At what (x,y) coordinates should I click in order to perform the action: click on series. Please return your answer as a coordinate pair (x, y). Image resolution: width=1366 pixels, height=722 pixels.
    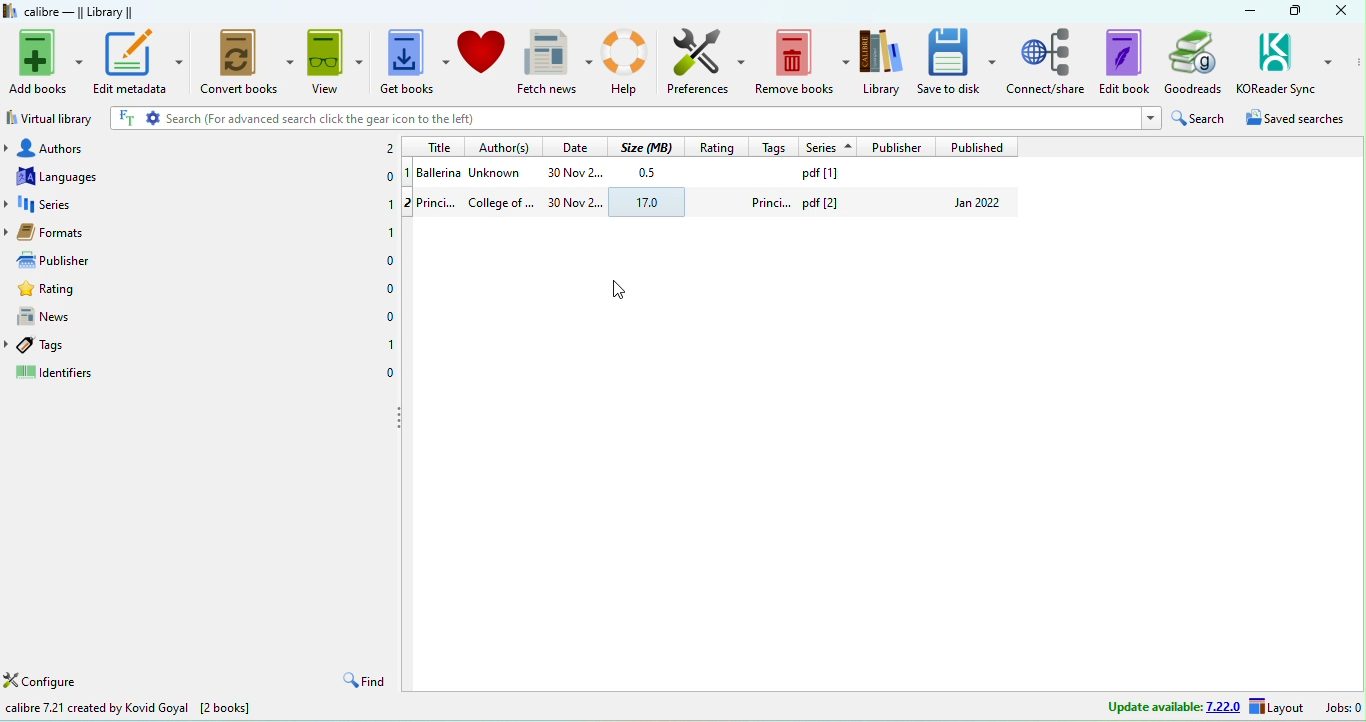
    Looking at the image, I should click on (83, 203).